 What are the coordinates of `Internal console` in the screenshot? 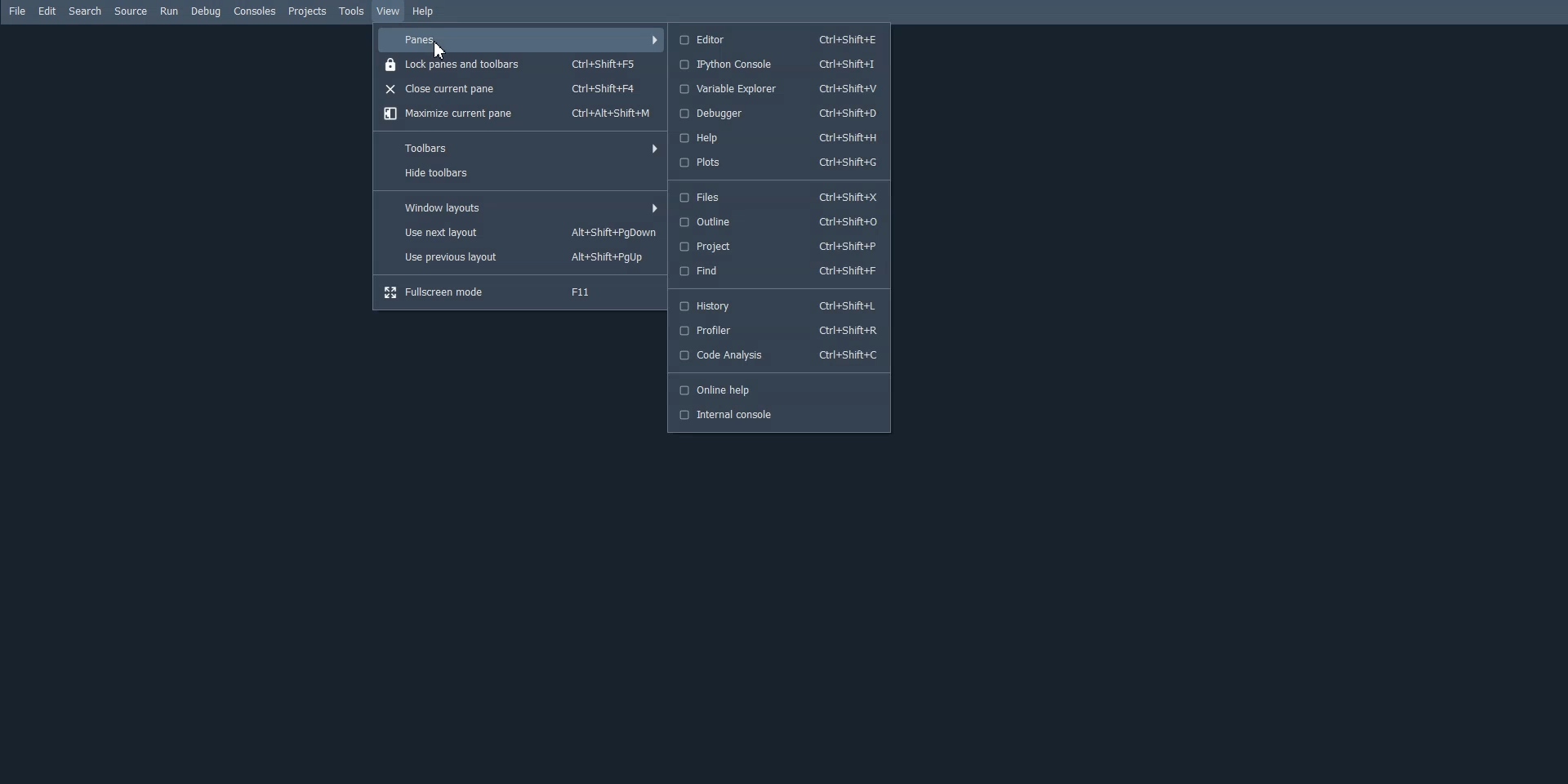 It's located at (779, 416).